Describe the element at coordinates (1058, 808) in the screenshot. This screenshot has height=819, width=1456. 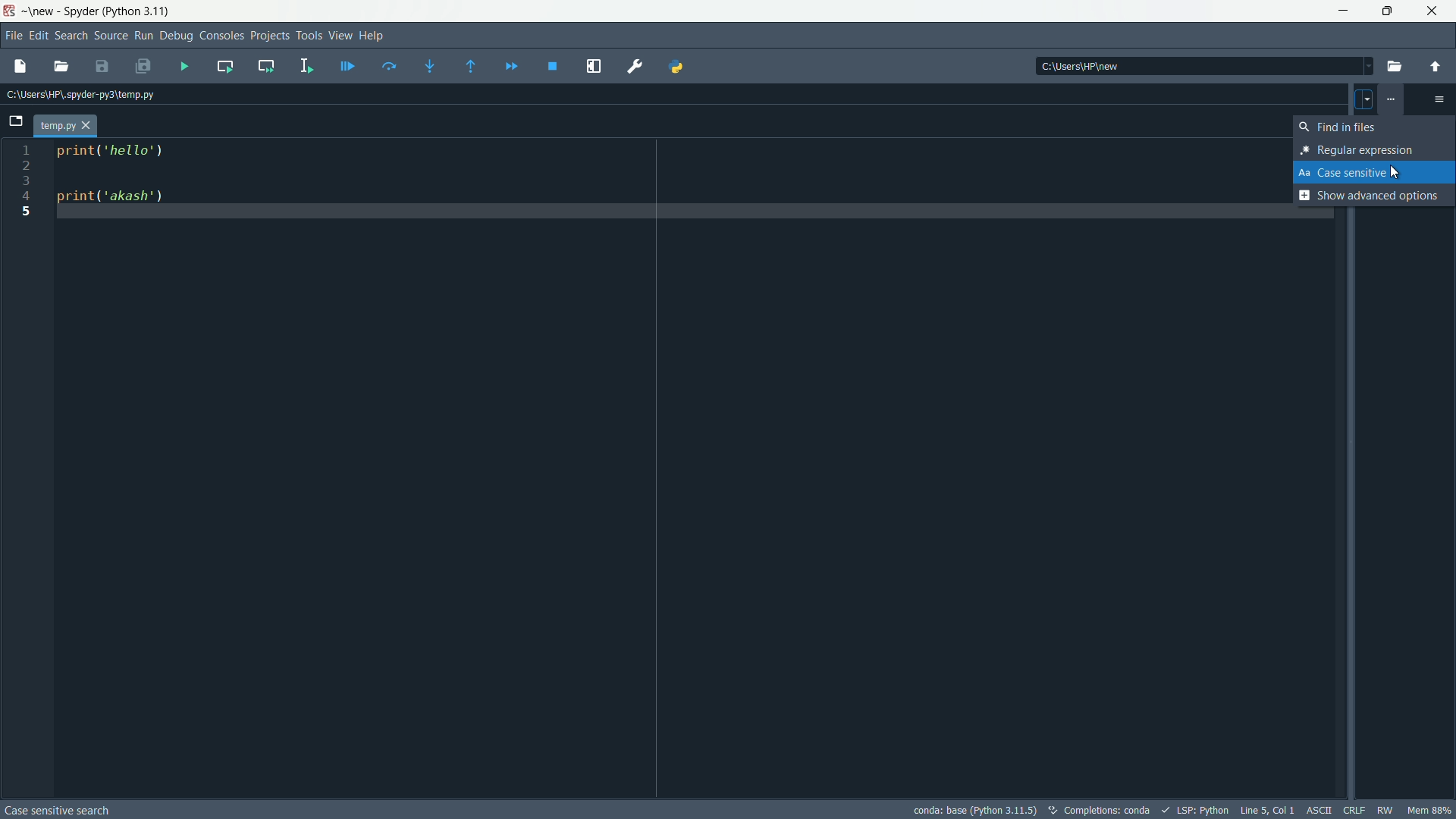
I see `completions: conda` at that location.